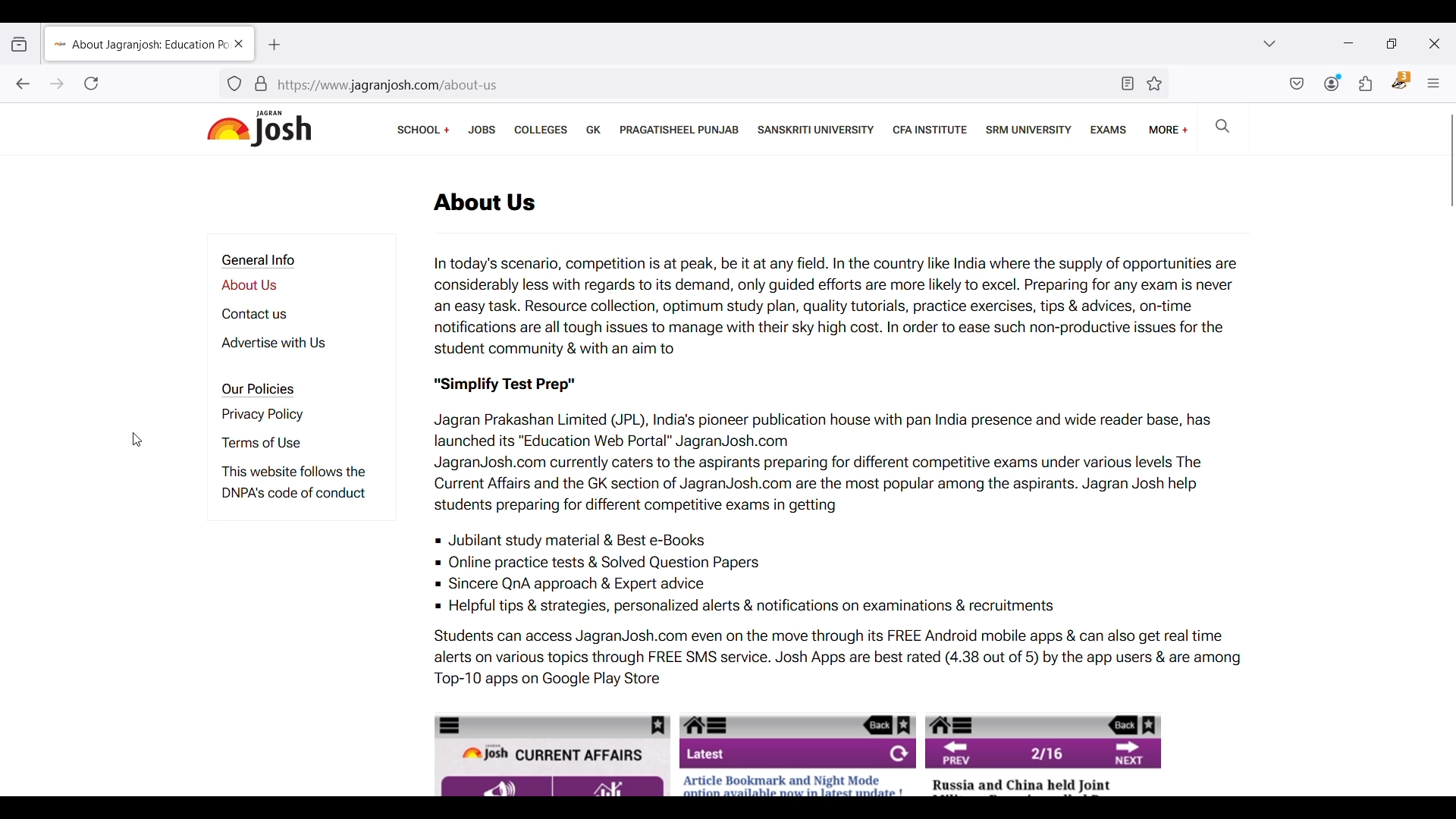 Image resolution: width=1456 pixels, height=819 pixels. I want to click on Reload current page, so click(91, 83).